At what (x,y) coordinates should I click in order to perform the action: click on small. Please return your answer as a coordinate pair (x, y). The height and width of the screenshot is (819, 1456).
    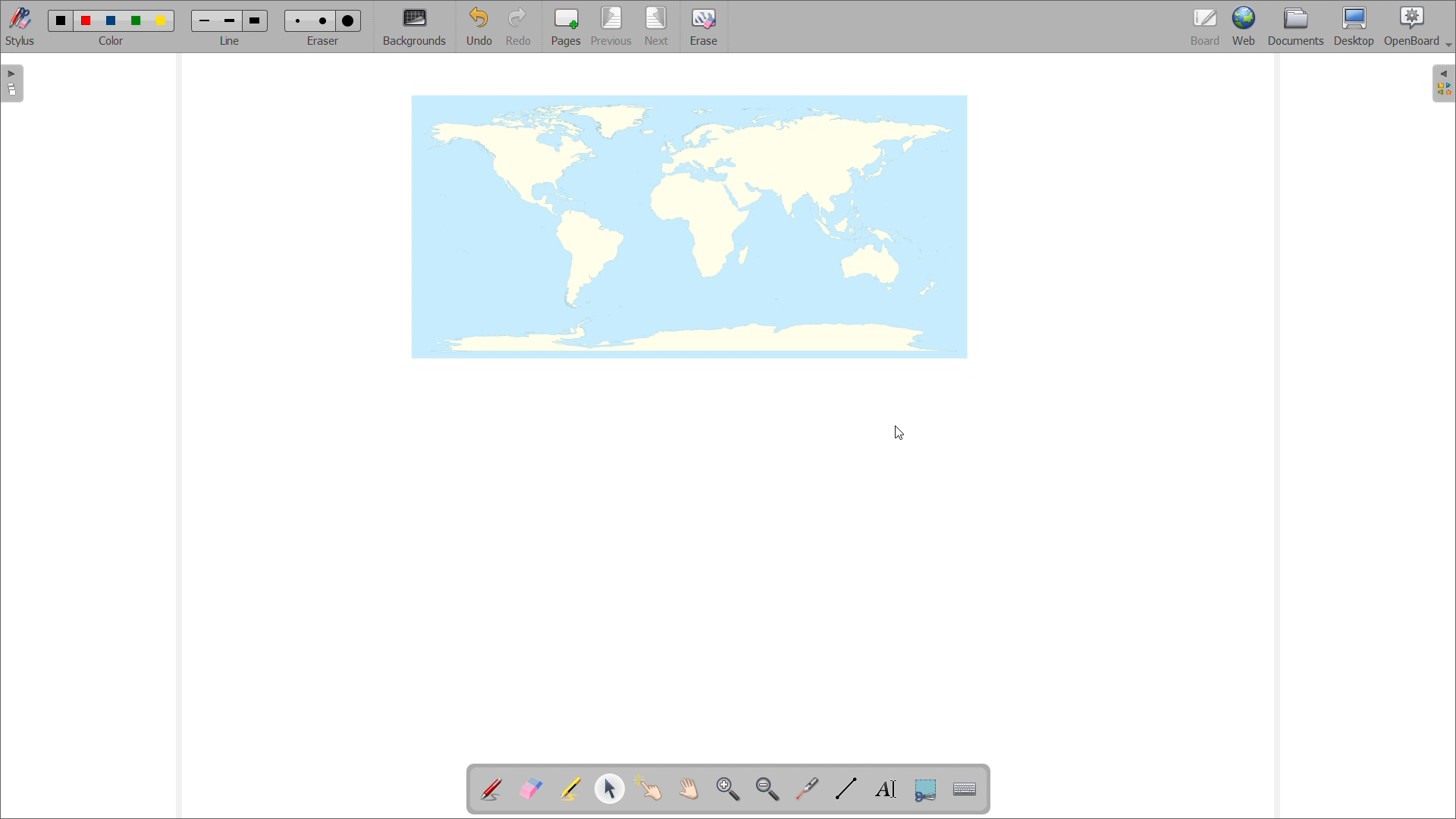
    Looking at the image, I should click on (298, 21).